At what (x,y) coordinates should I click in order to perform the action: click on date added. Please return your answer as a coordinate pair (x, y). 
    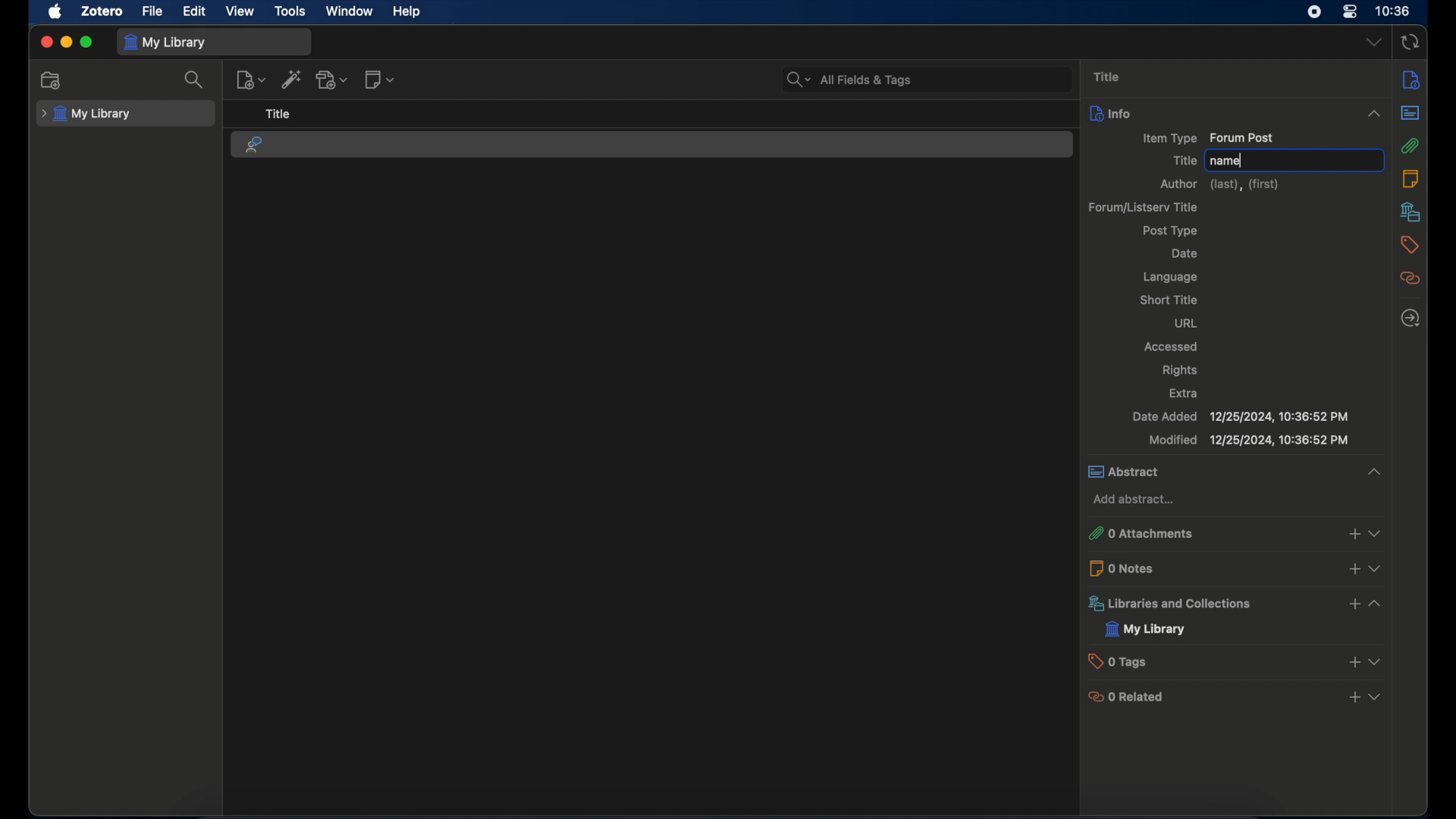
    Looking at the image, I should click on (1241, 416).